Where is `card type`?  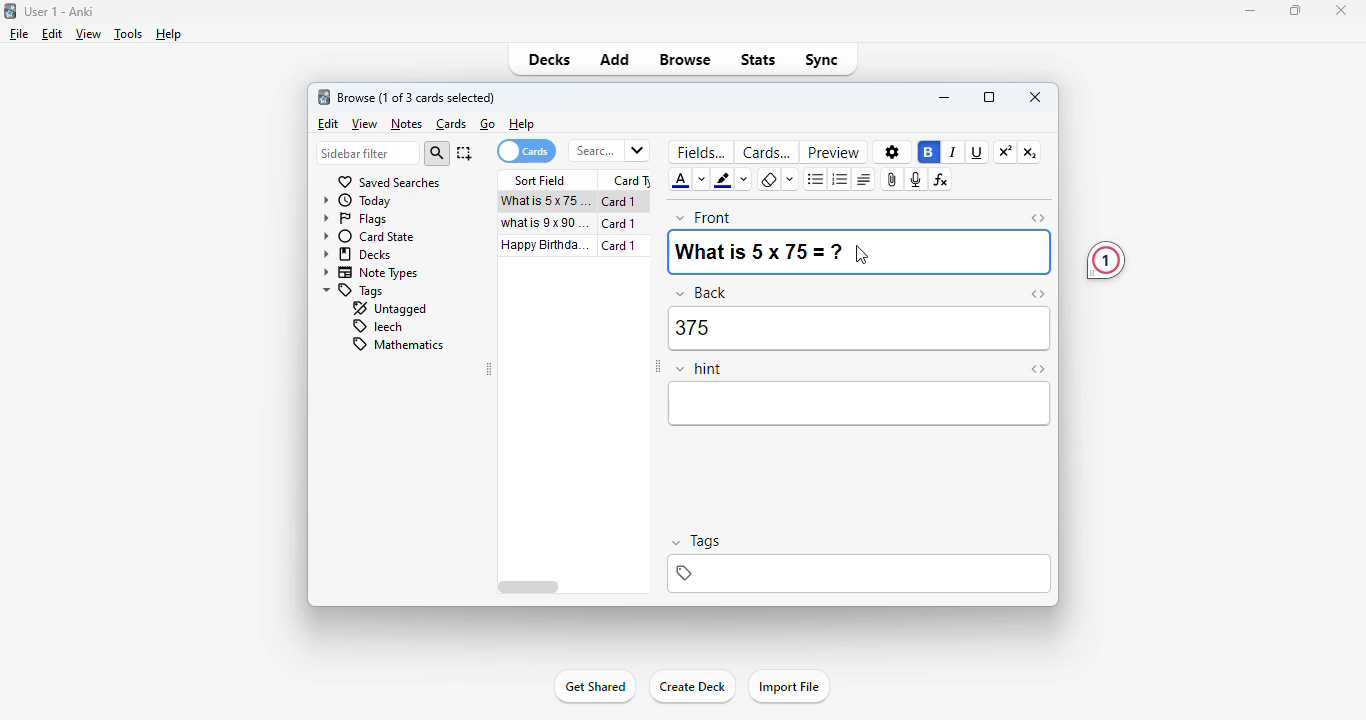 card type is located at coordinates (630, 179).